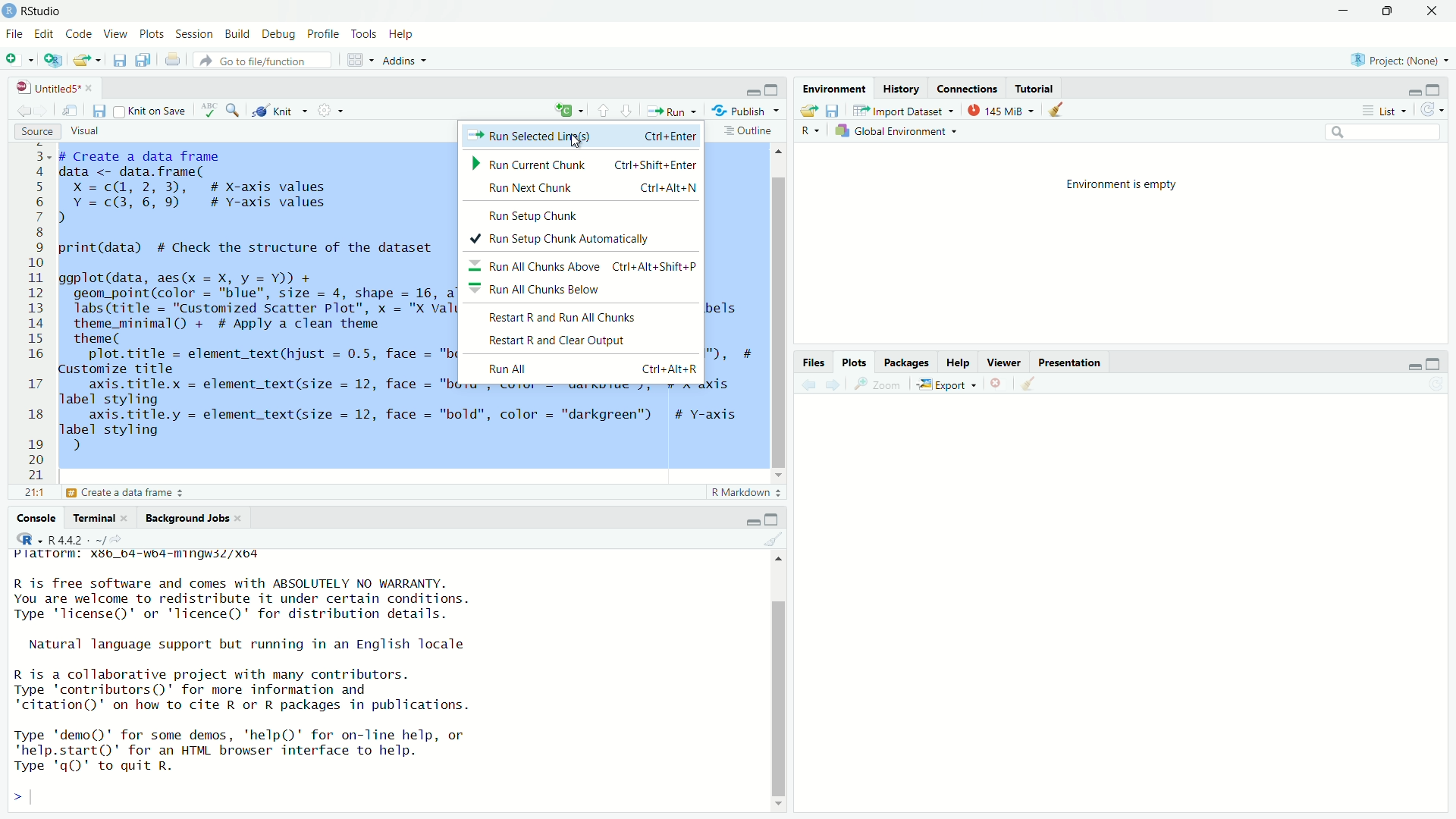 The width and height of the screenshot is (1456, 819). Describe the element at coordinates (805, 130) in the screenshot. I see `R` at that location.